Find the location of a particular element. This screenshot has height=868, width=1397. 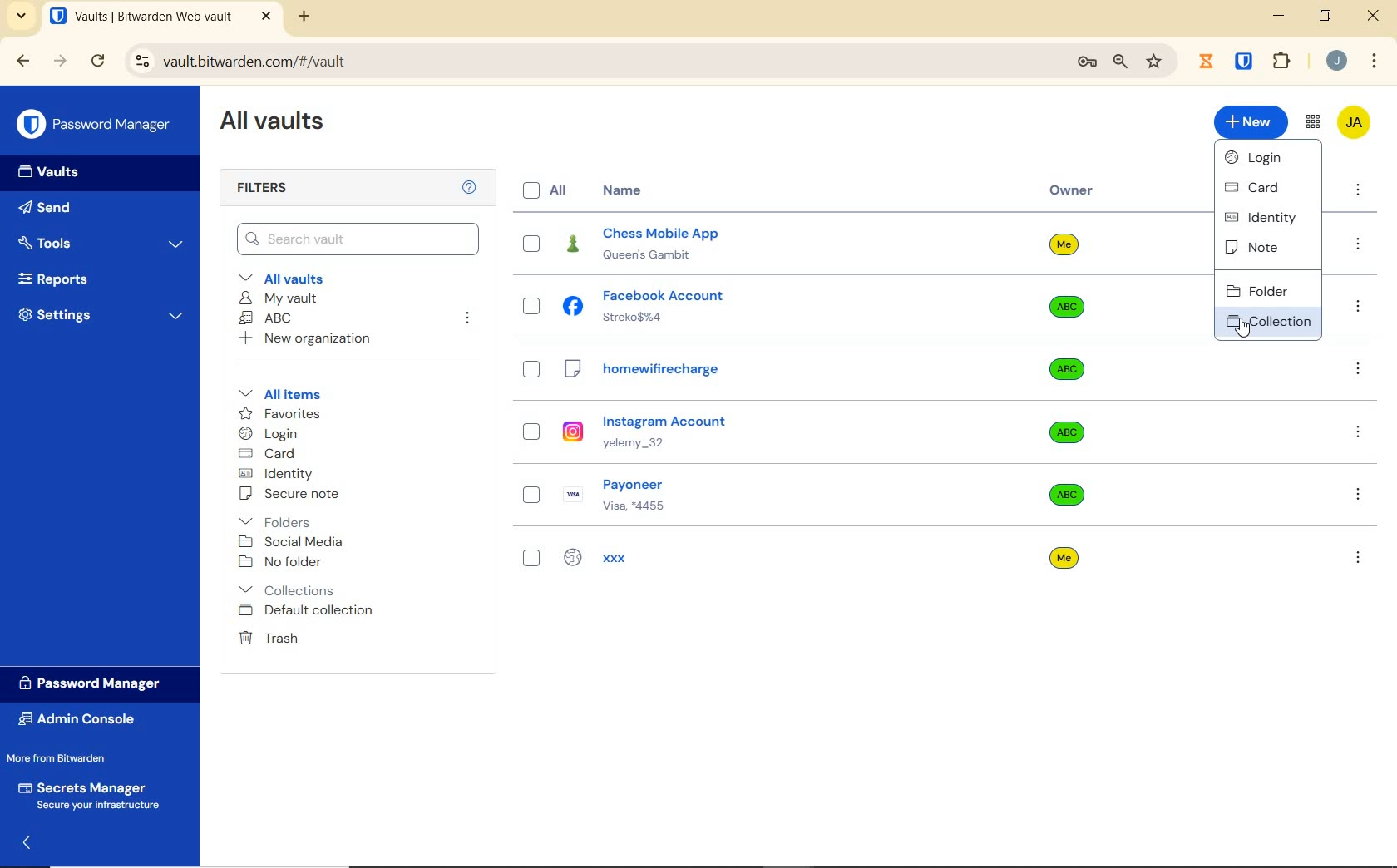

more options is located at coordinates (1357, 434).